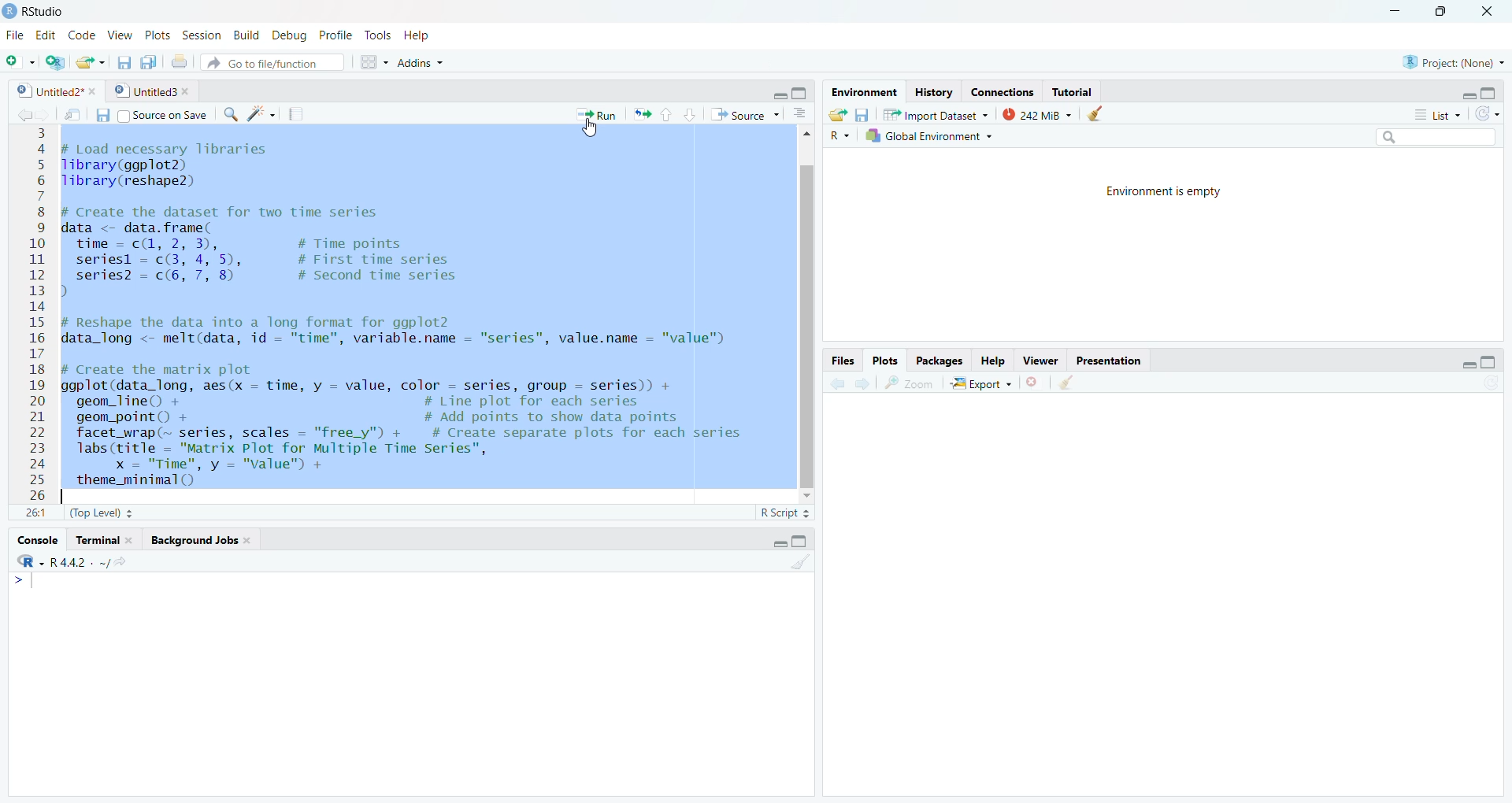 The height and width of the screenshot is (803, 1512). What do you see at coordinates (24, 113) in the screenshot?
I see `move back` at bounding box center [24, 113].